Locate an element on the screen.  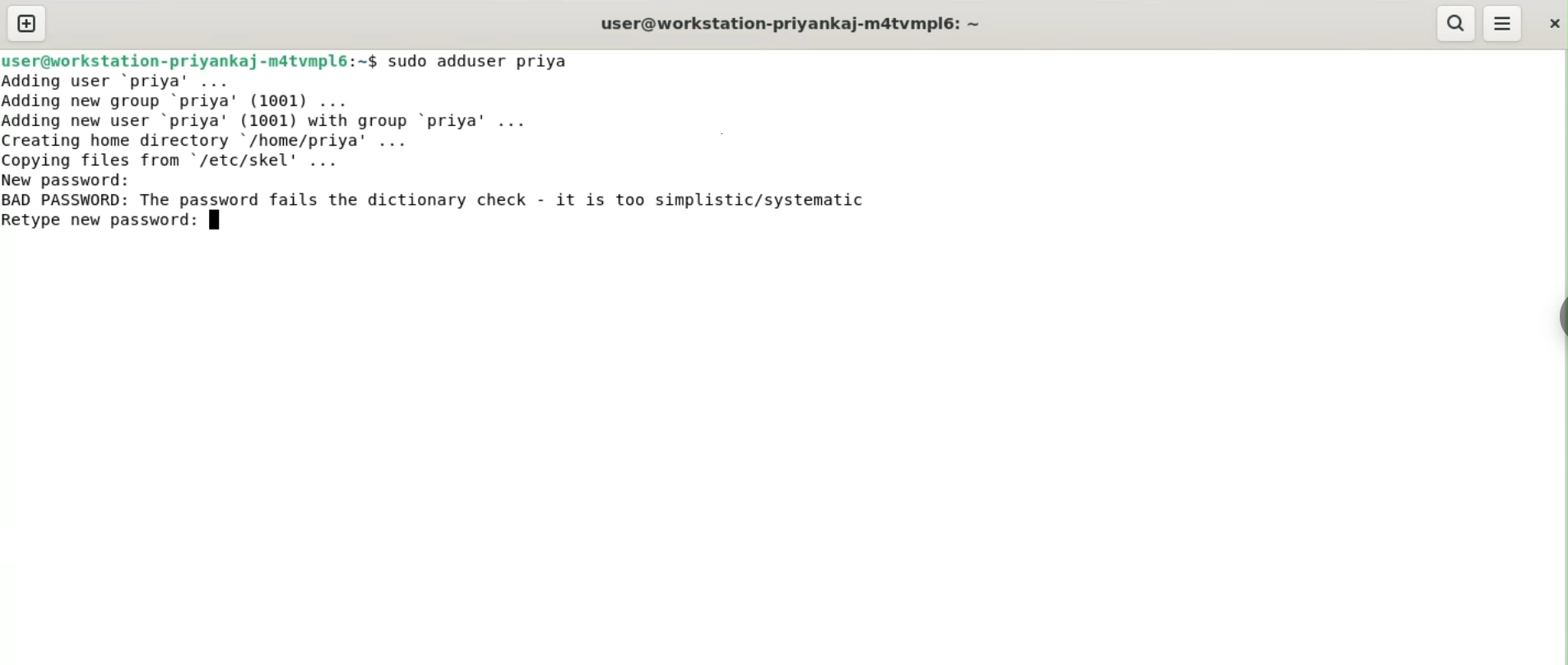
close is located at coordinates (1552, 19).